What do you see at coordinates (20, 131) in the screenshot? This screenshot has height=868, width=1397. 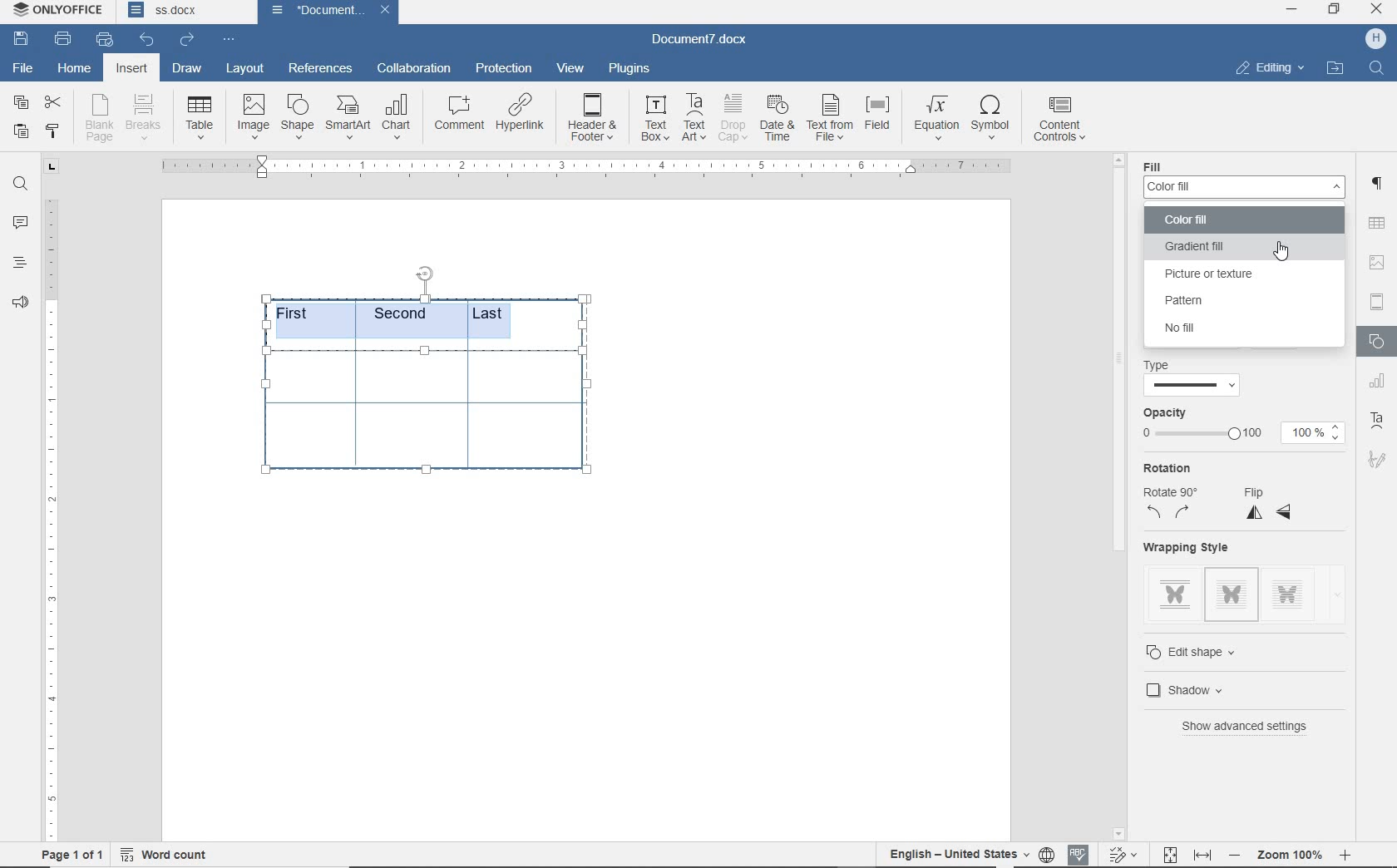 I see `paste` at bounding box center [20, 131].